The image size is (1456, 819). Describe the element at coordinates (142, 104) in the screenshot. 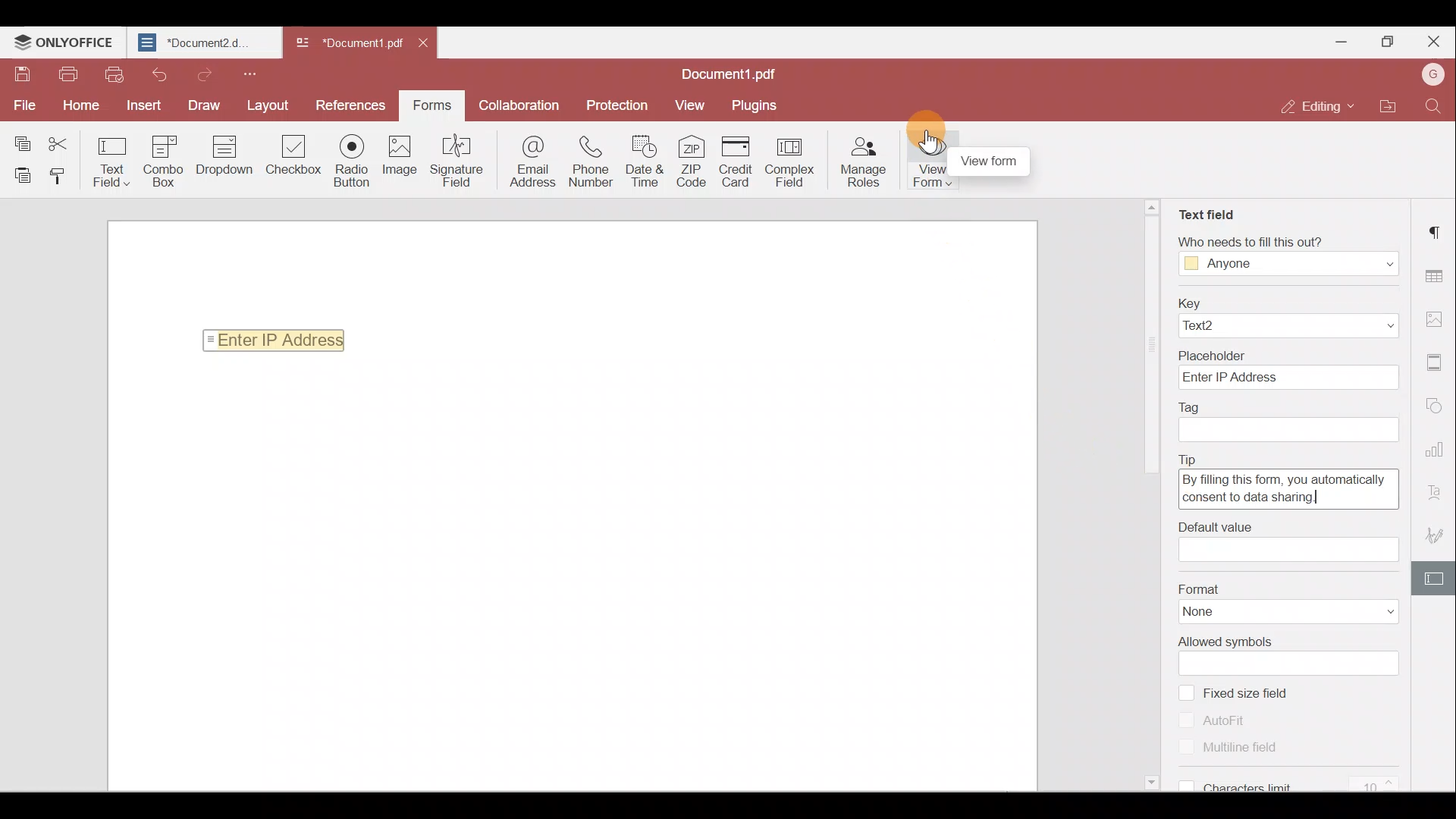

I see `Insert` at that location.